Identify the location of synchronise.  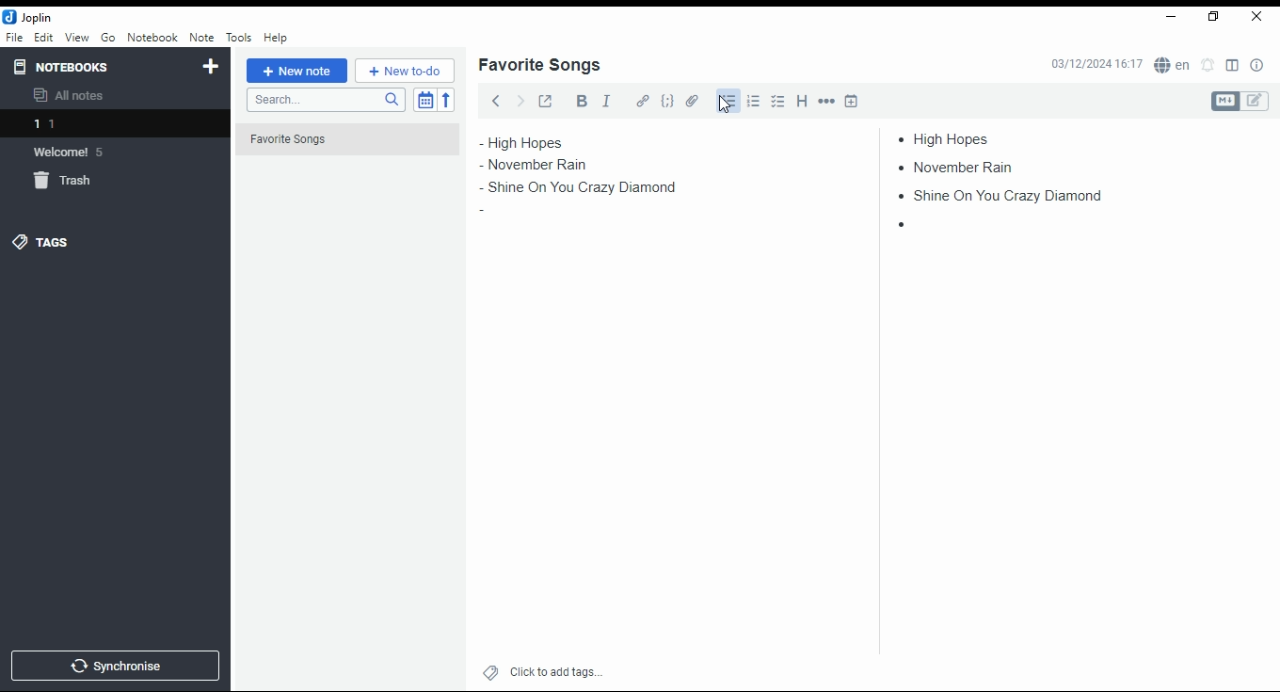
(112, 665).